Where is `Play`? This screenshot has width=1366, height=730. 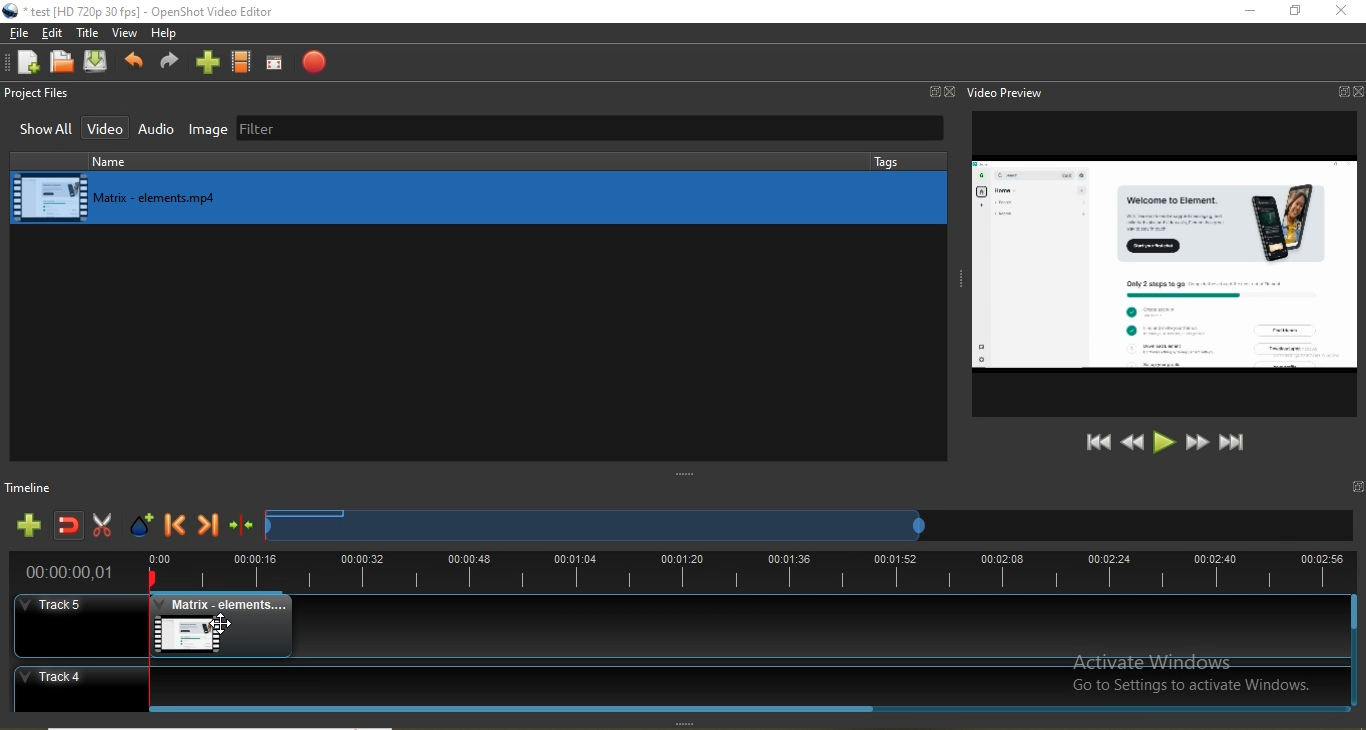
Play is located at coordinates (1165, 442).